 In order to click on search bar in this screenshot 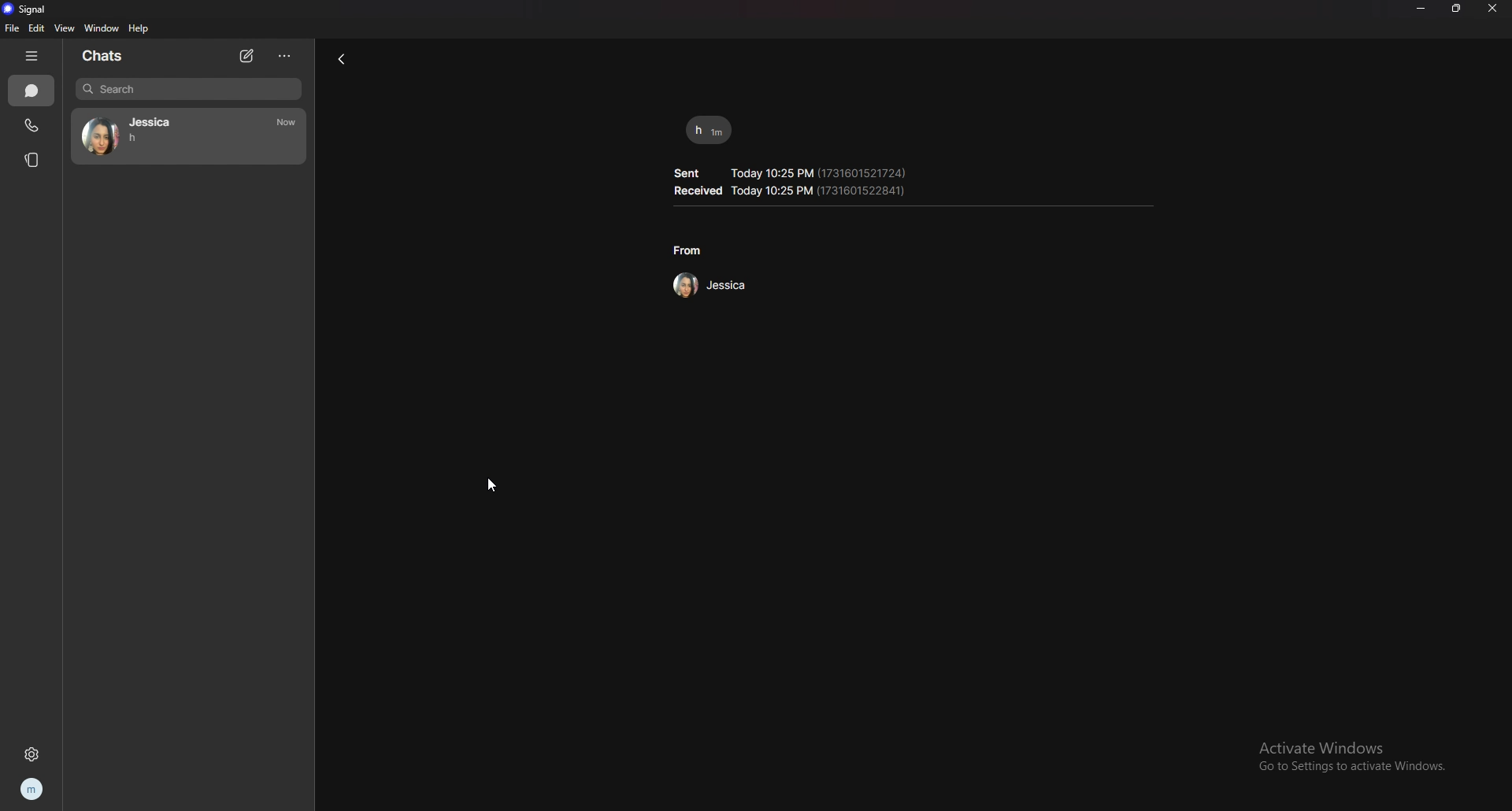, I will do `click(188, 90)`.